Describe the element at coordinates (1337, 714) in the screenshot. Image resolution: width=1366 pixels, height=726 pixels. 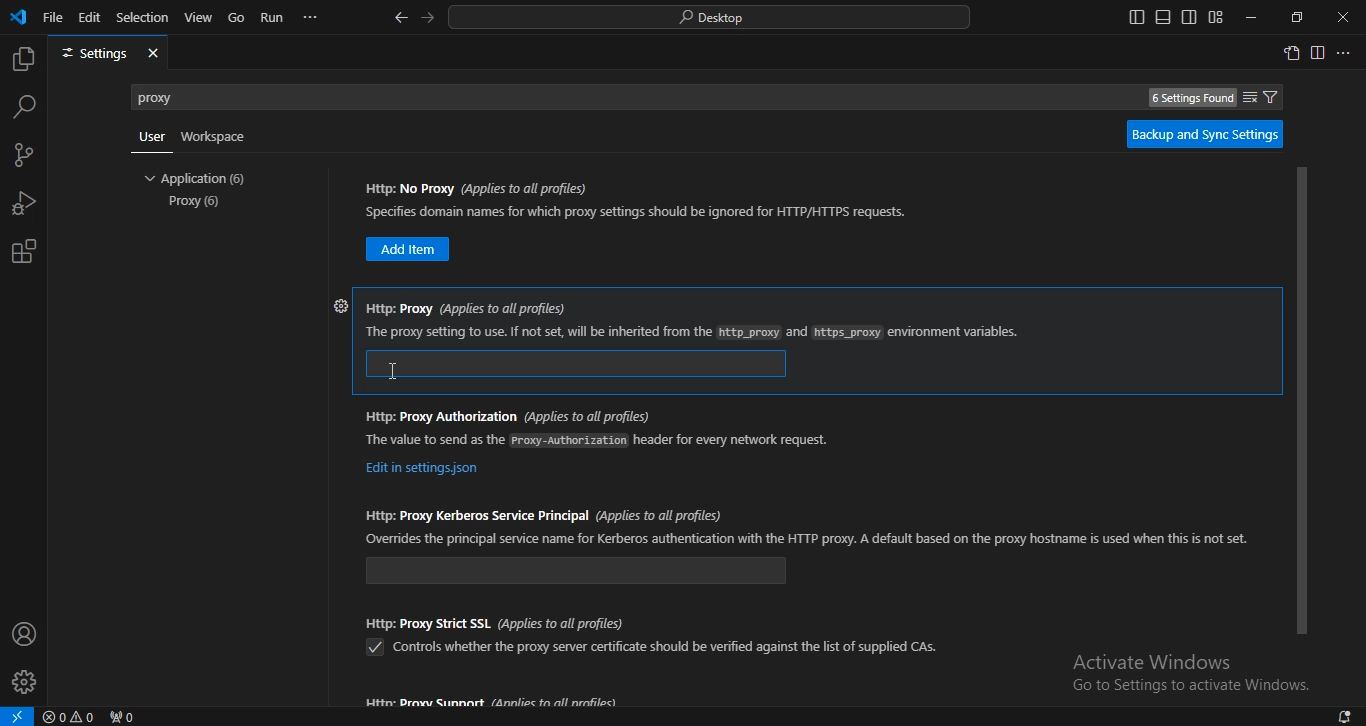
I see `1 new notification` at that location.